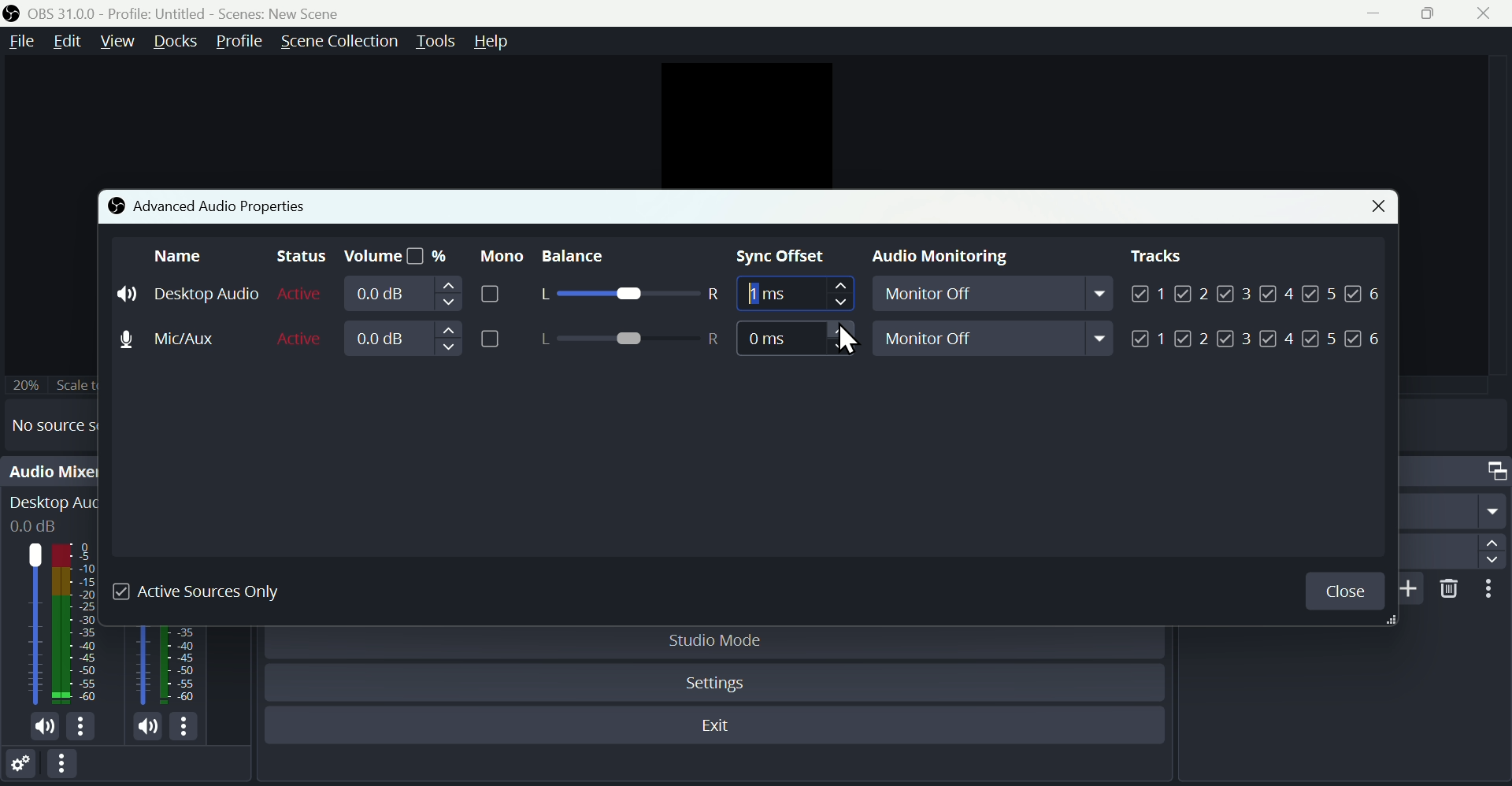 The width and height of the screenshot is (1512, 786). I want to click on view, so click(117, 40).